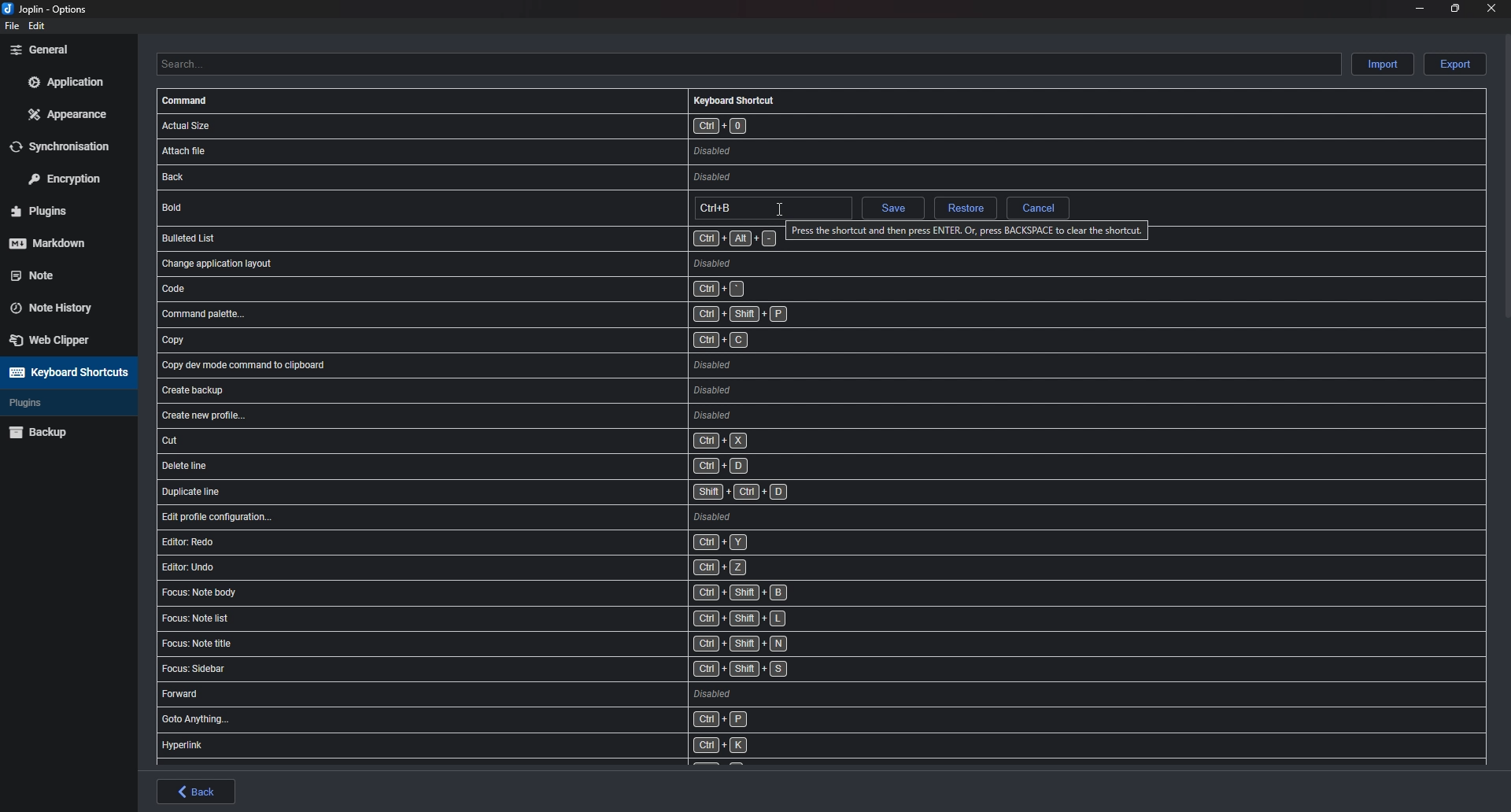 The image size is (1511, 812). Describe the element at coordinates (66, 372) in the screenshot. I see `Keyboard shortcuts` at that location.